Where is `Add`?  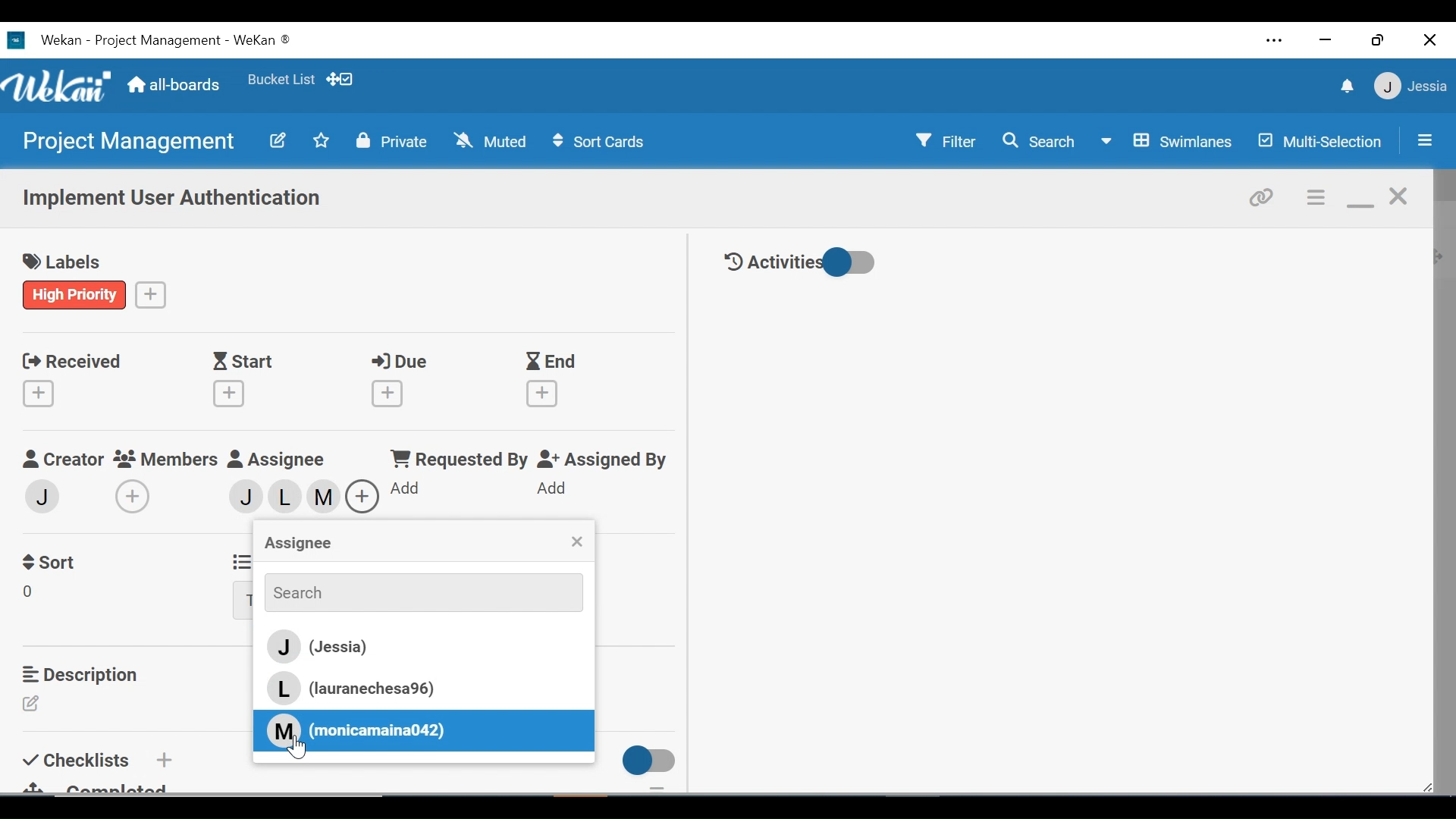 Add is located at coordinates (402, 488).